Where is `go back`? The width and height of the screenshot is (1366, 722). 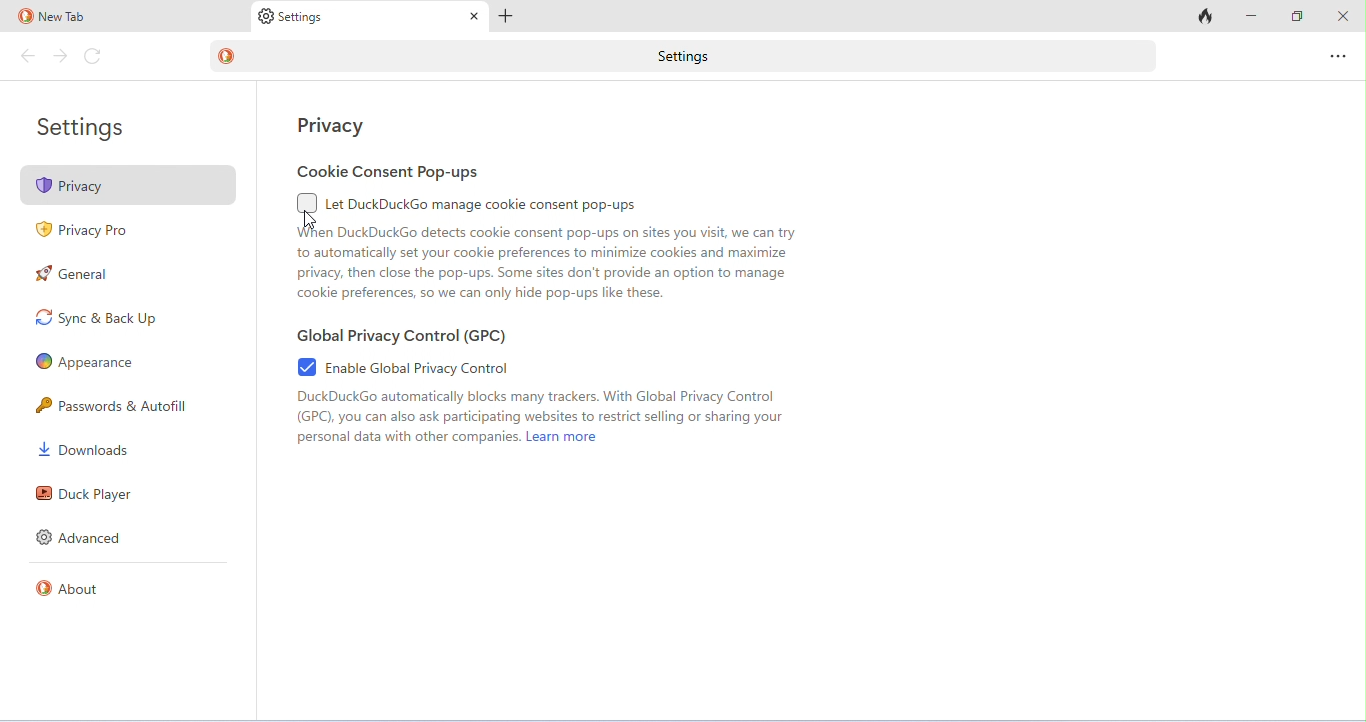 go back is located at coordinates (30, 56).